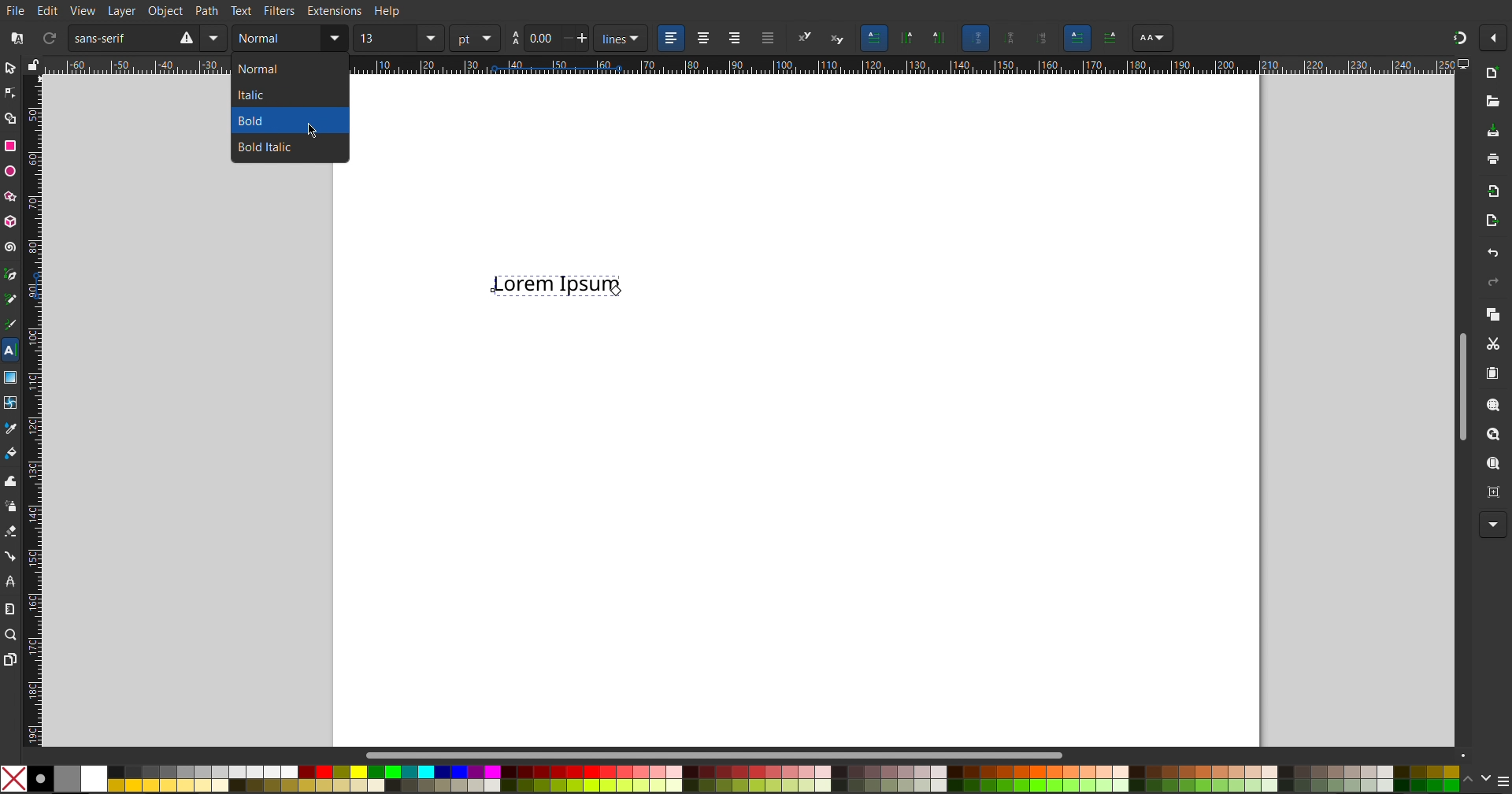  What do you see at coordinates (1492, 253) in the screenshot?
I see `Undo` at bounding box center [1492, 253].